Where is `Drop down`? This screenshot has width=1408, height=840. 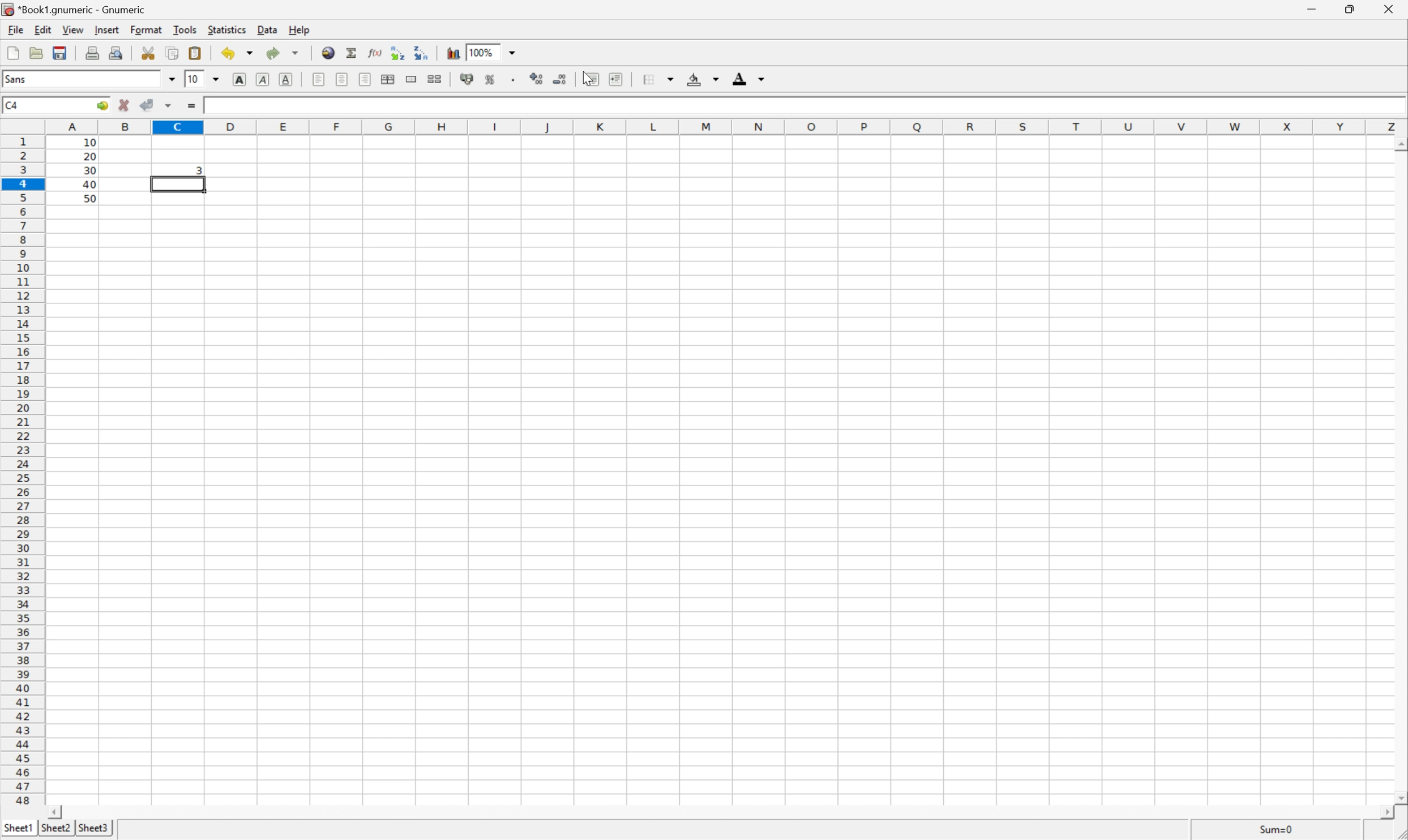 Drop down is located at coordinates (295, 54).